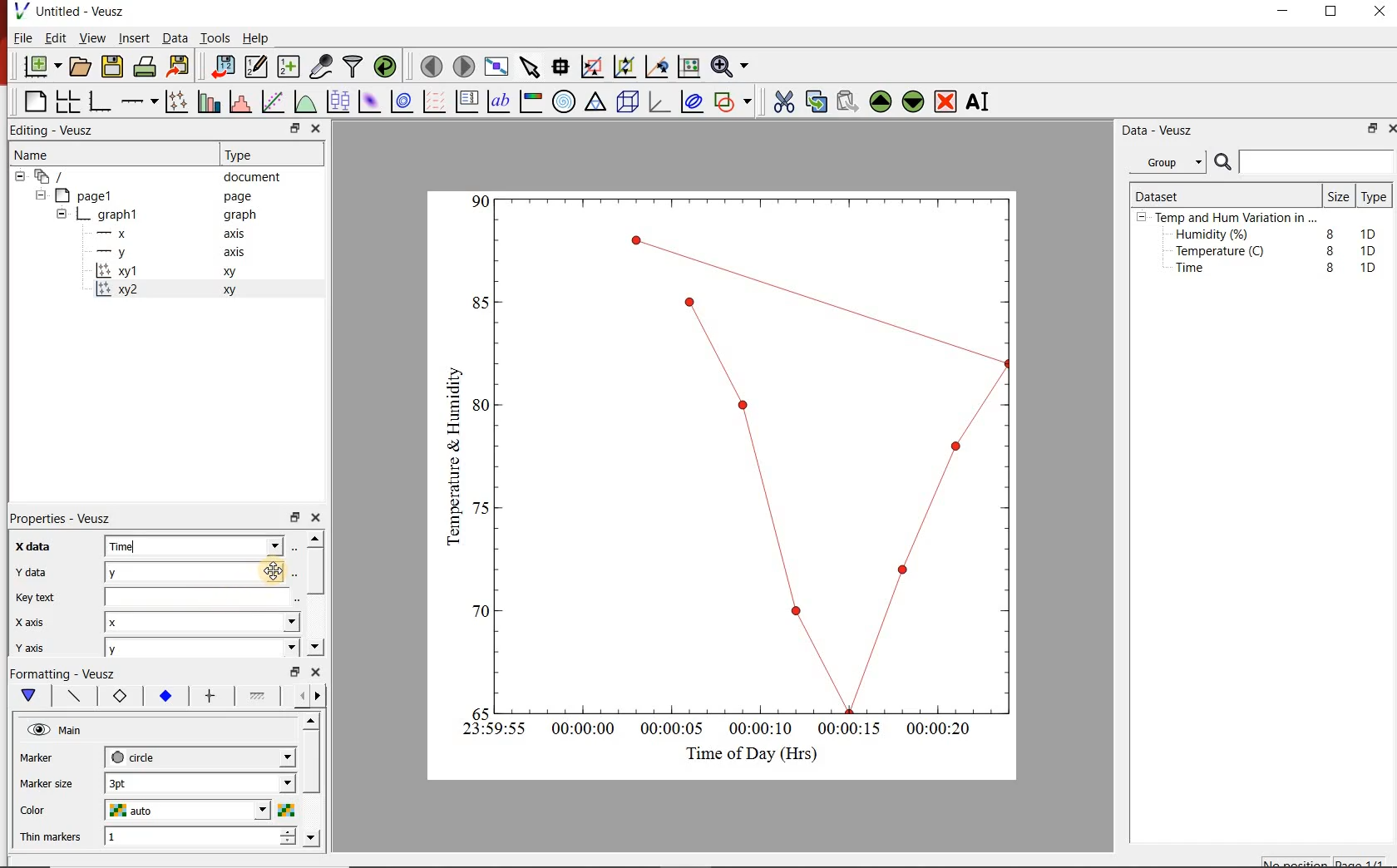 Image resolution: width=1397 pixels, height=868 pixels. I want to click on graph, so click(239, 216).